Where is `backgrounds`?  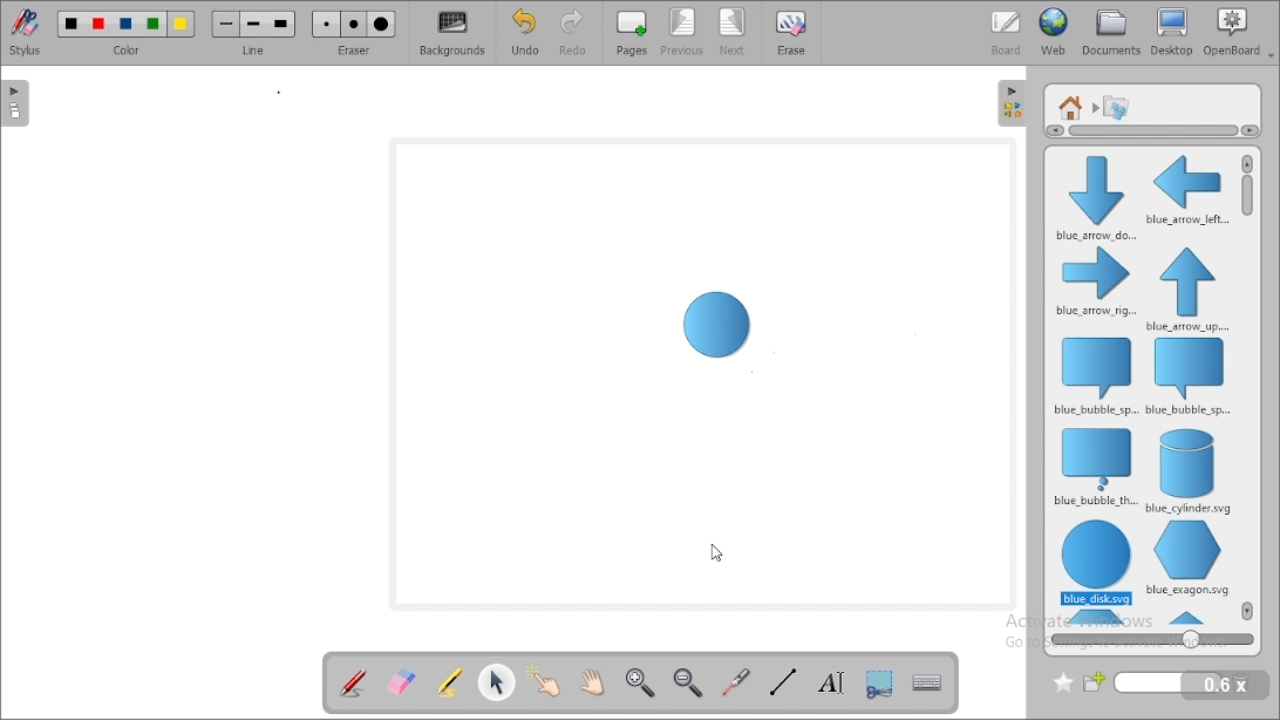 backgrounds is located at coordinates (451, 33).